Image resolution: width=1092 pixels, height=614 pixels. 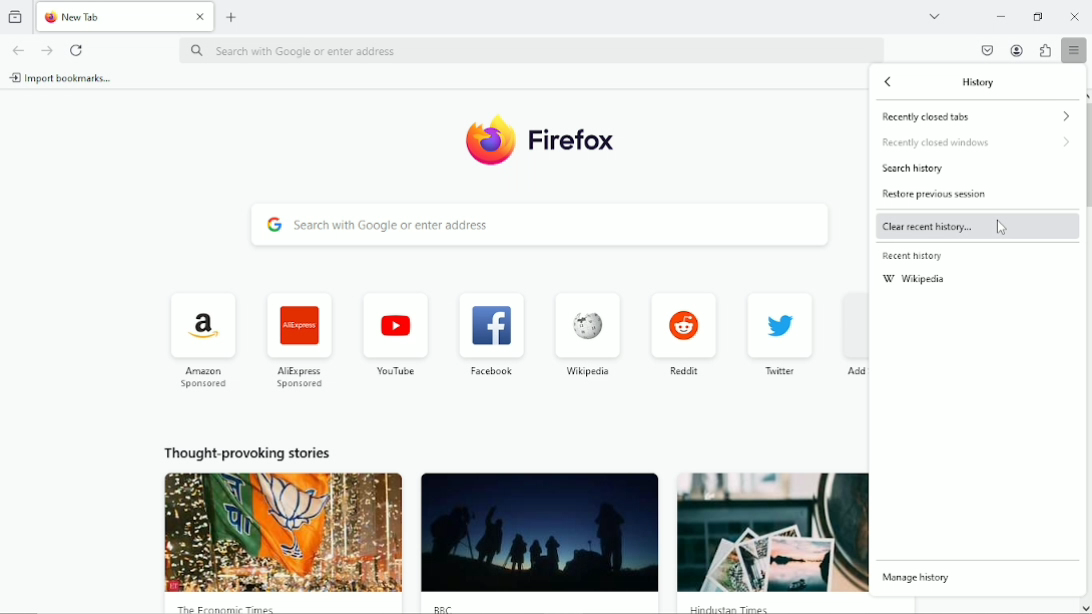 What do you see at coordinates (935, 15) in the screenshot?
I see `List all tabs` at bounding box center [935, 15].